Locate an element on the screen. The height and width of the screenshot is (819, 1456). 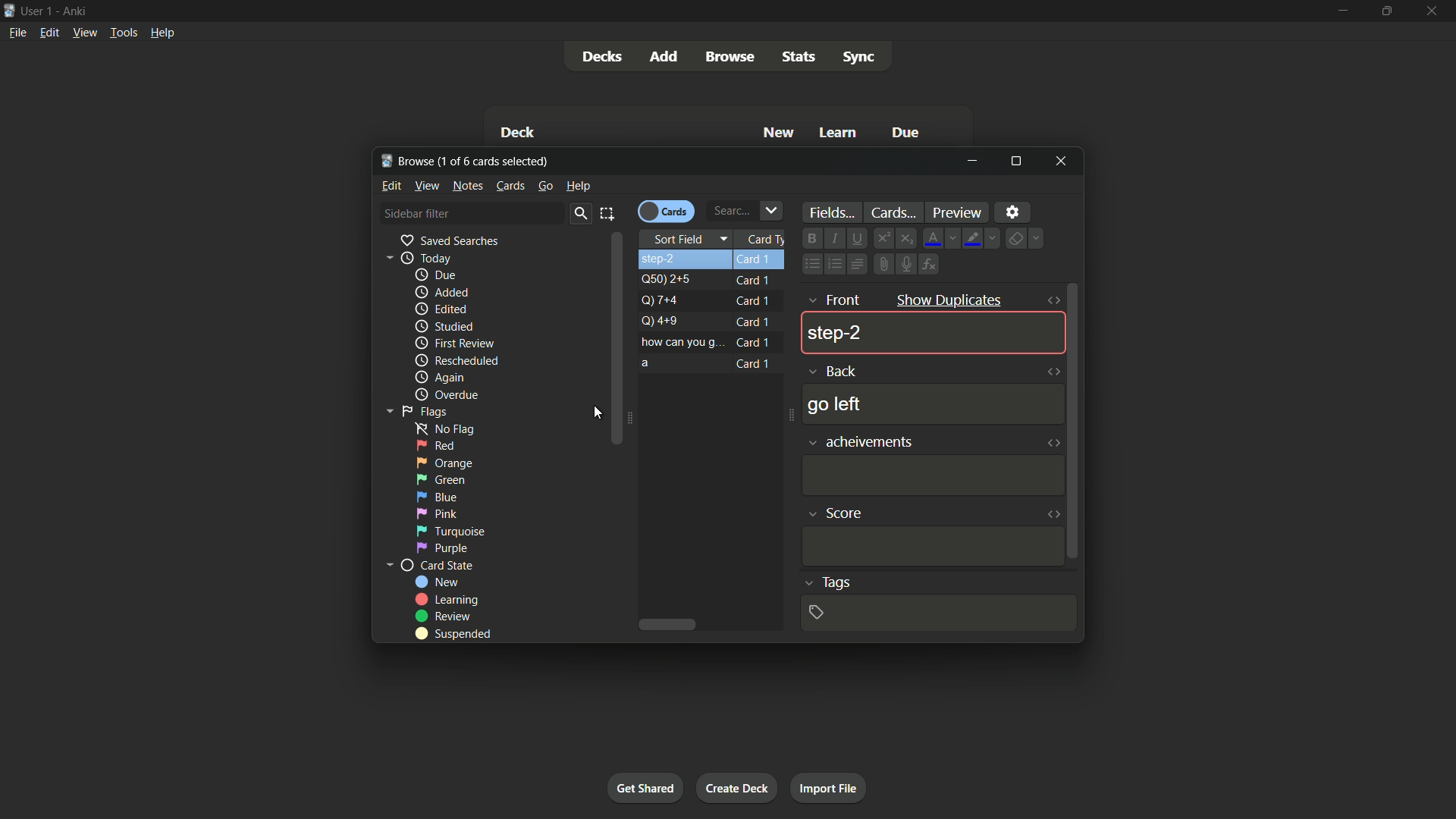
Remove formatting is located at coordinates (1028, 237).